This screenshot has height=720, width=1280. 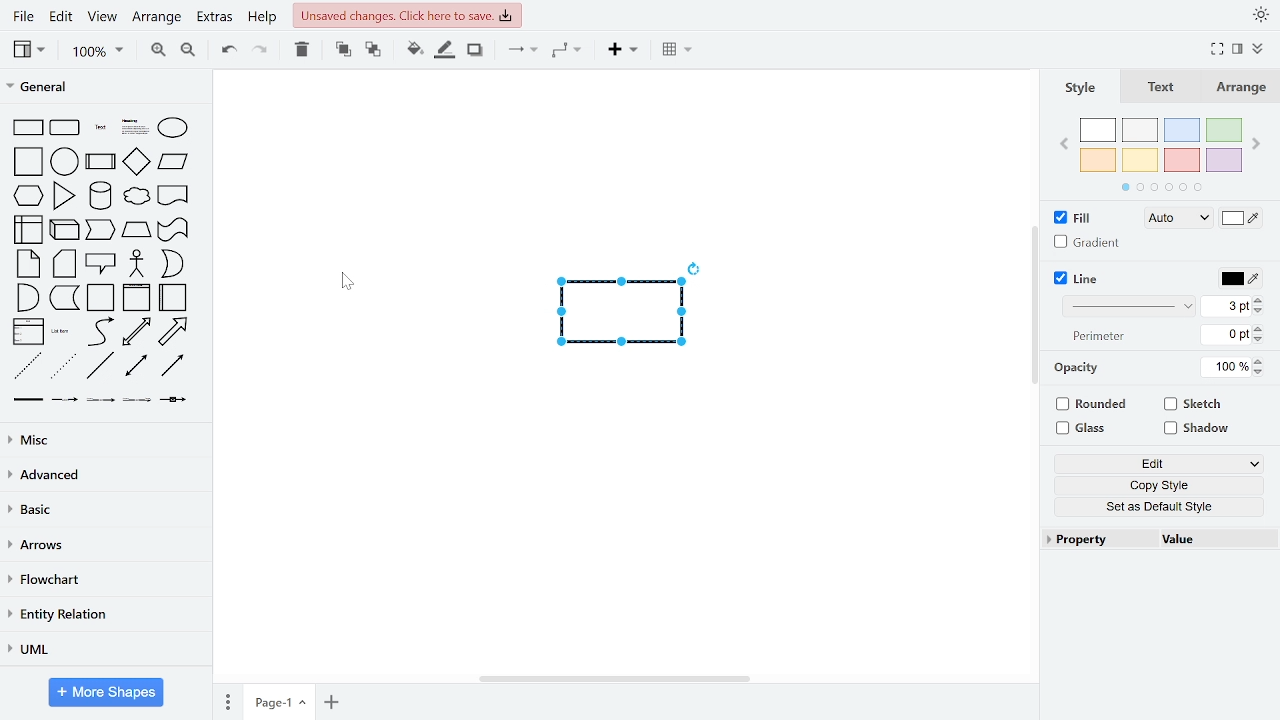 What do you see at coordinates (173, 366) in the screenshot?
I see `general shapes` at bounding box center [173, 366].